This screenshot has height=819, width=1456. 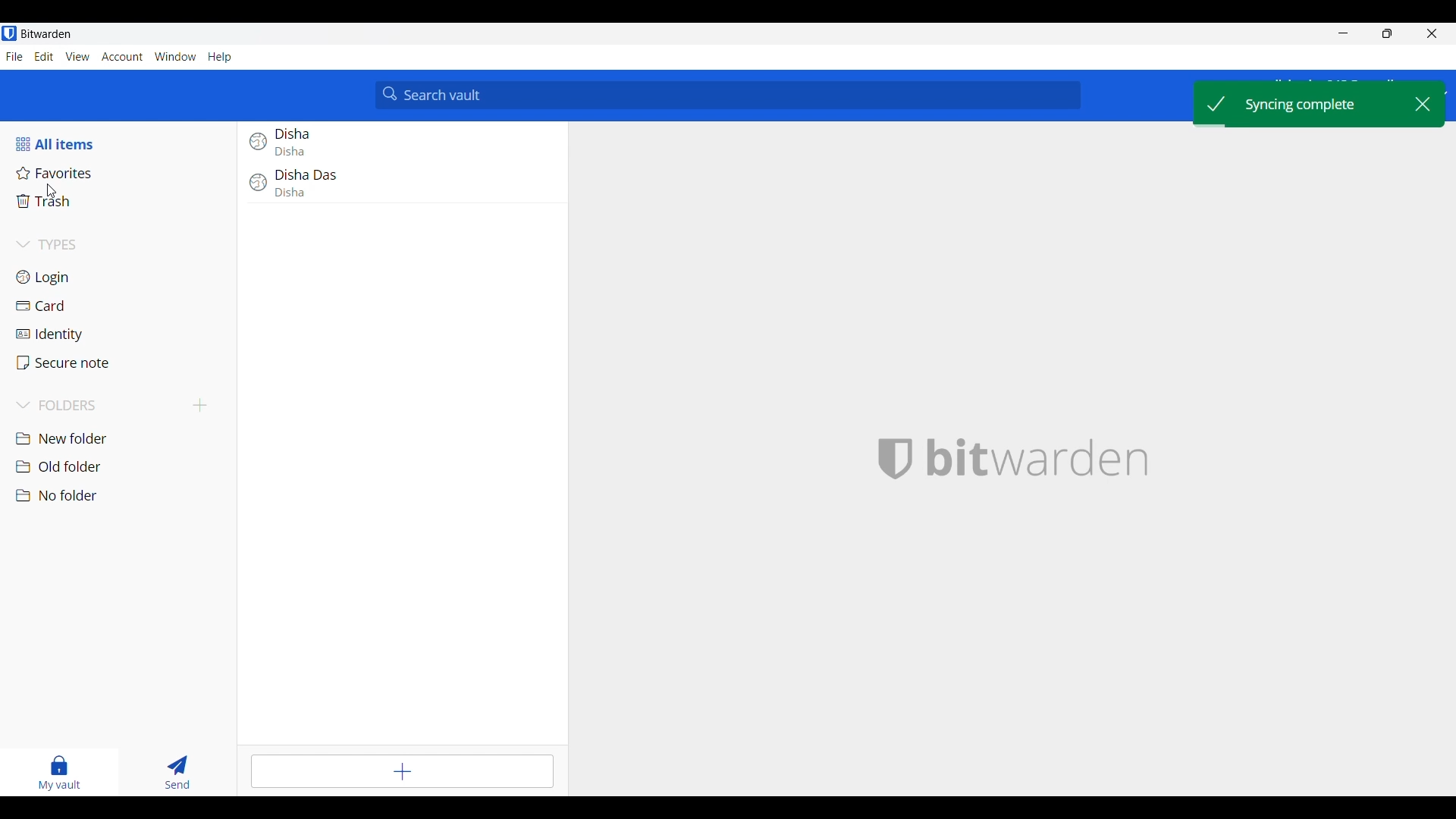 I want to click on Indicates syncing is complete, so click(x=1303, y=103).